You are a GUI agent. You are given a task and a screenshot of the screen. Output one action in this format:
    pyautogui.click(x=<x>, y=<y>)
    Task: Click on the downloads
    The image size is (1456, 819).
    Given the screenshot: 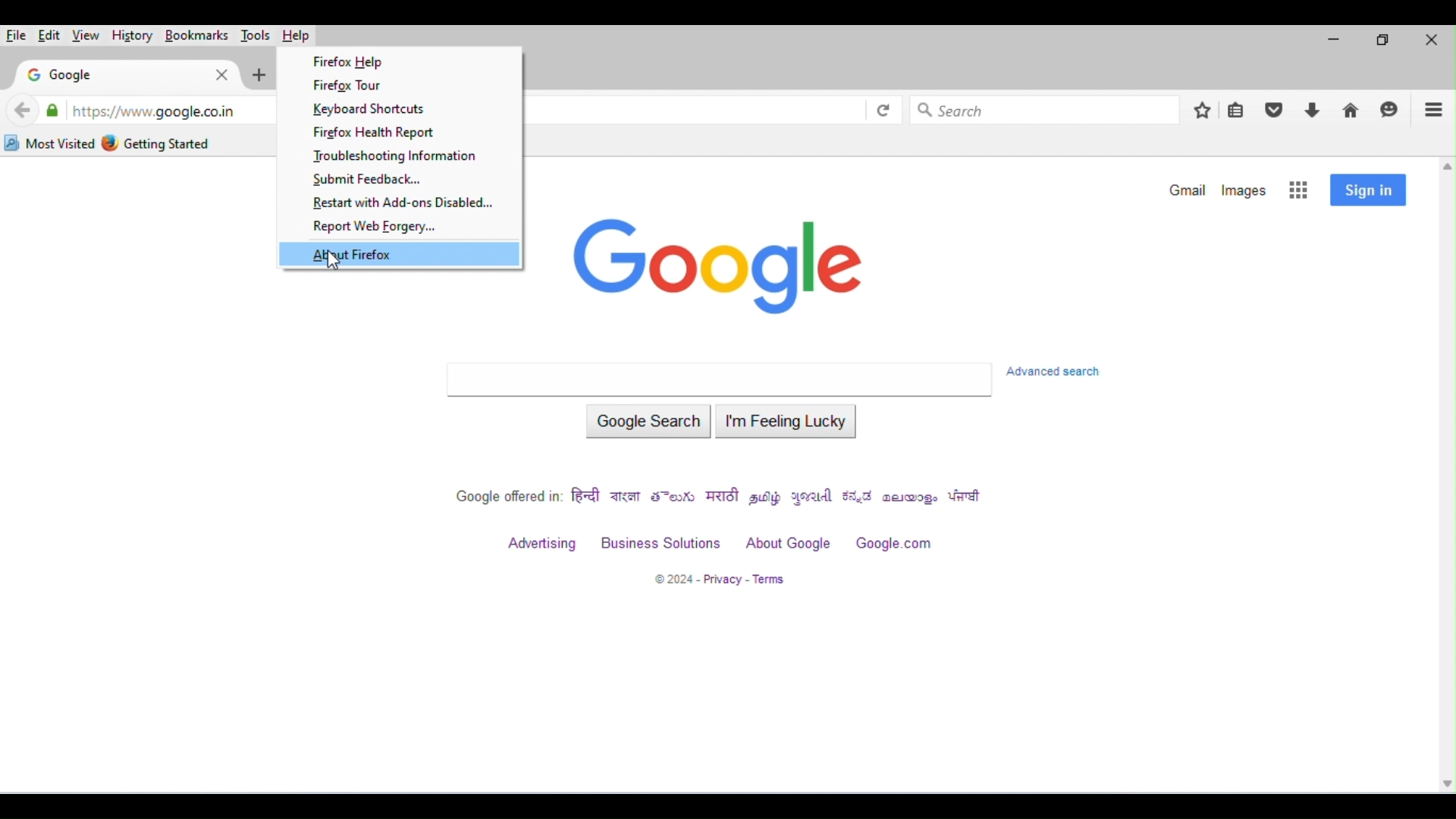 What is the action you would take?
    pyautogui.click(x=1313, y=111)
    